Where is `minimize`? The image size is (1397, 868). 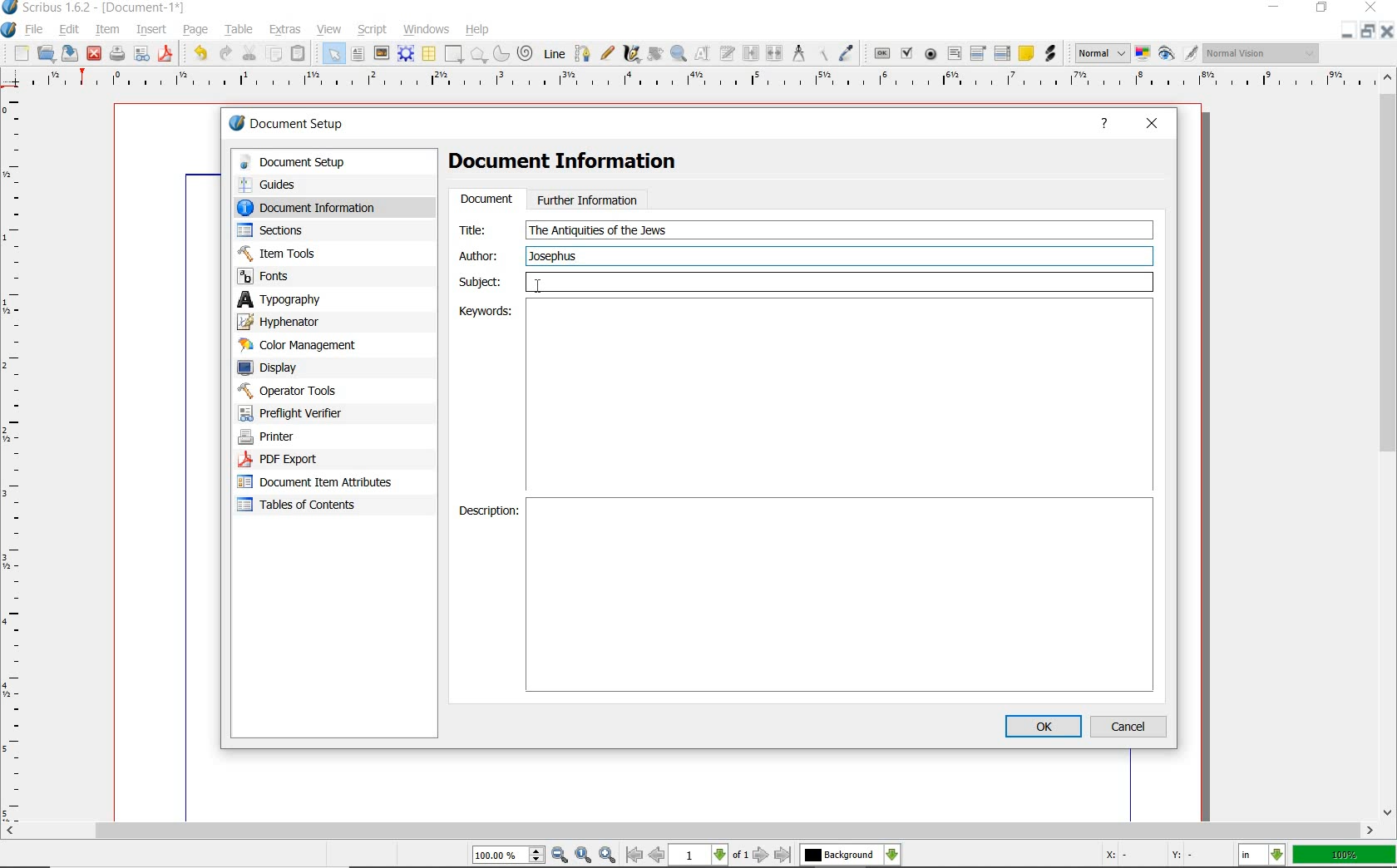
minimize is located at coordinates (1349, 30).